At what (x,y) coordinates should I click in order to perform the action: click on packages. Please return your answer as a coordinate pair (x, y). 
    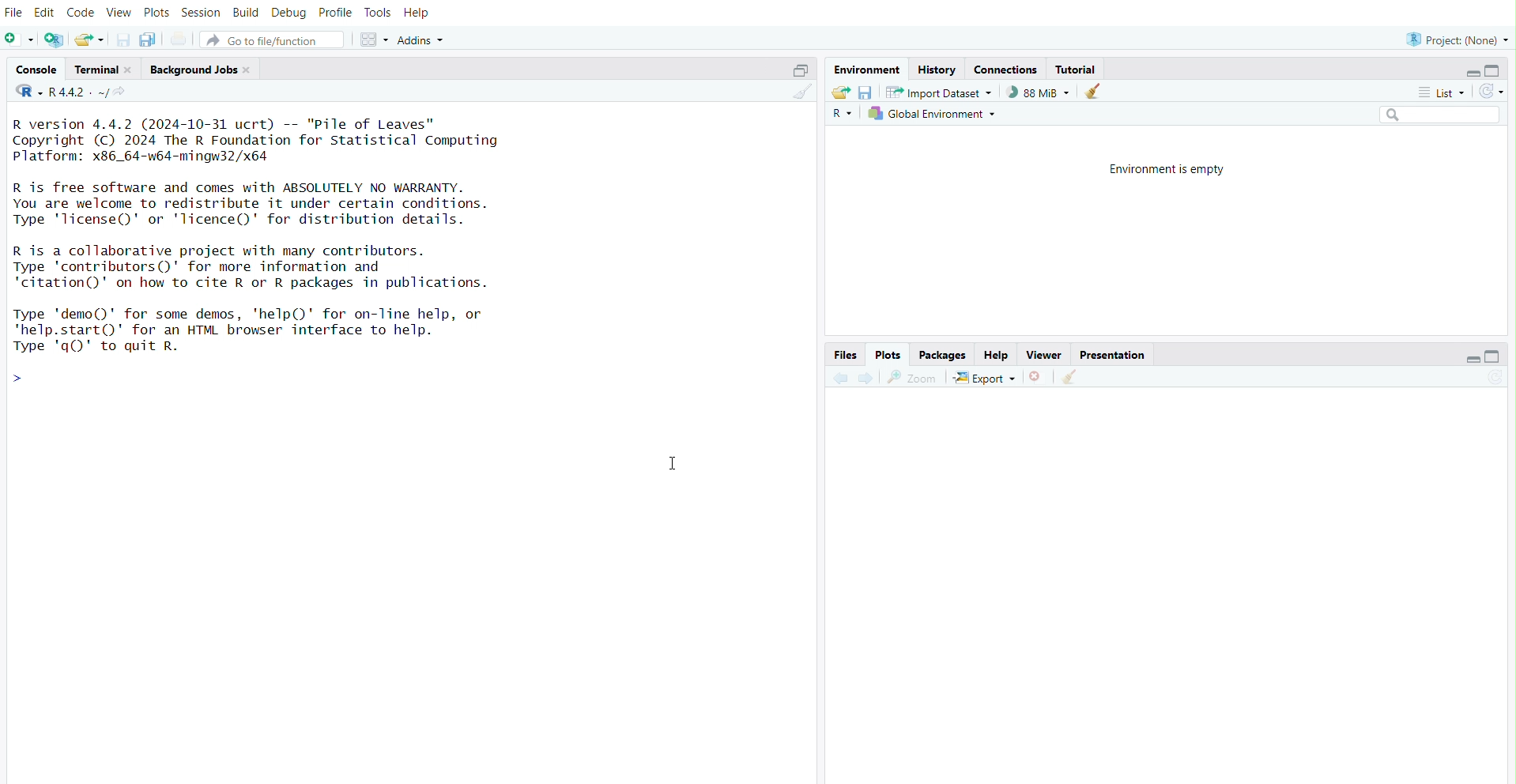
    Looking at the image, I should click on (941, 354).